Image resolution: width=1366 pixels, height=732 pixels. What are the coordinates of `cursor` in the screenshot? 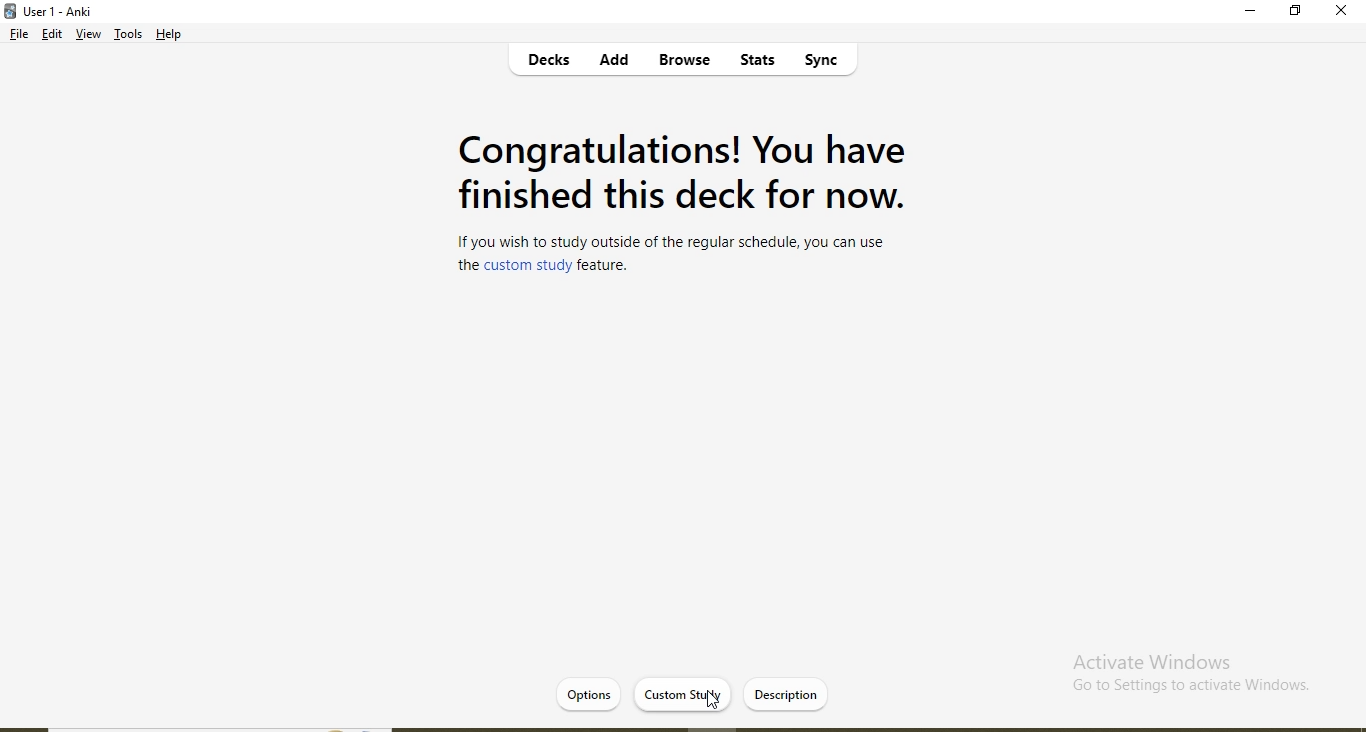 It's located at (713, 701).